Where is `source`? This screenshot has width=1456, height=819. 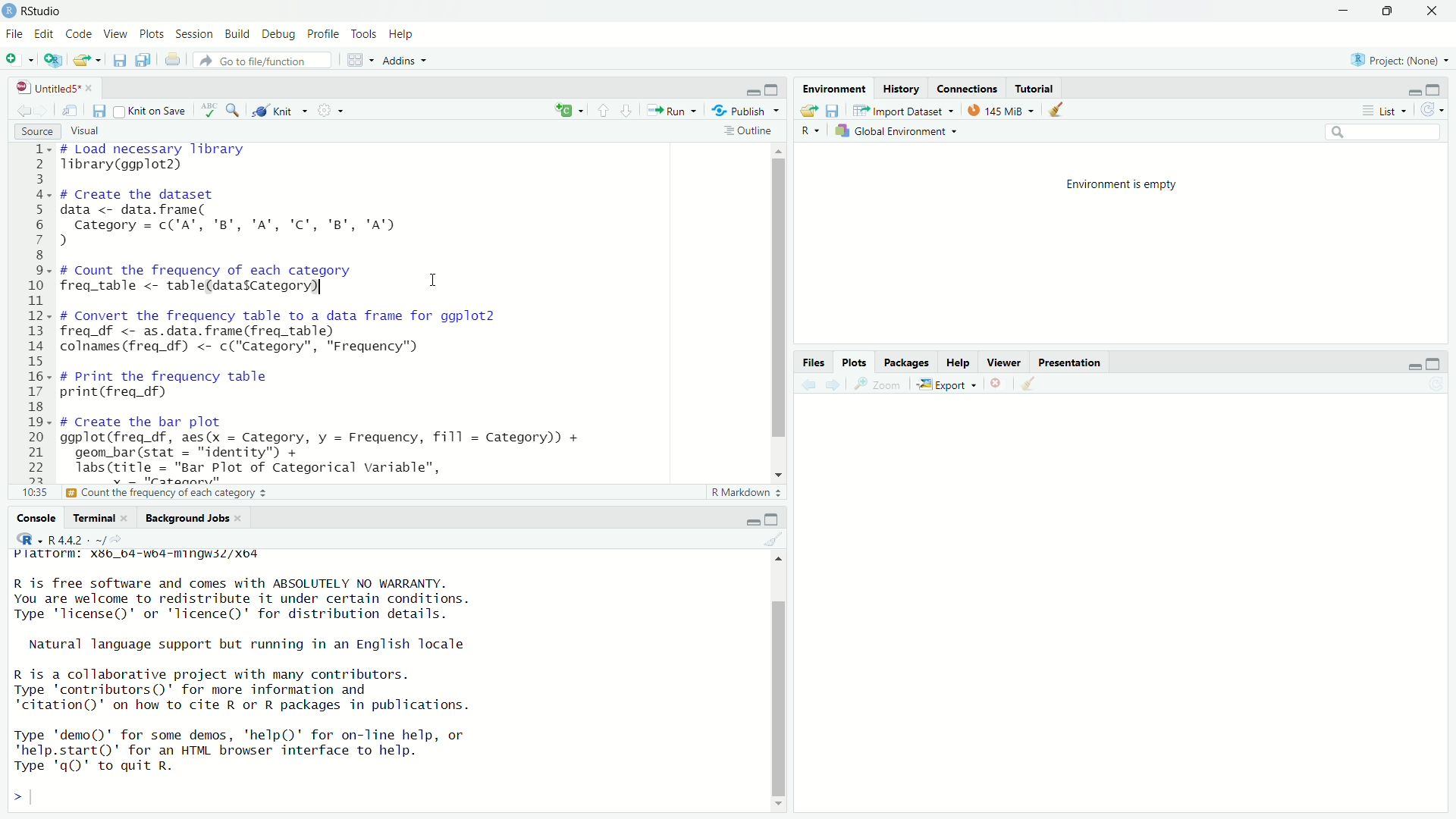
source is located at coordinates (38, 132).